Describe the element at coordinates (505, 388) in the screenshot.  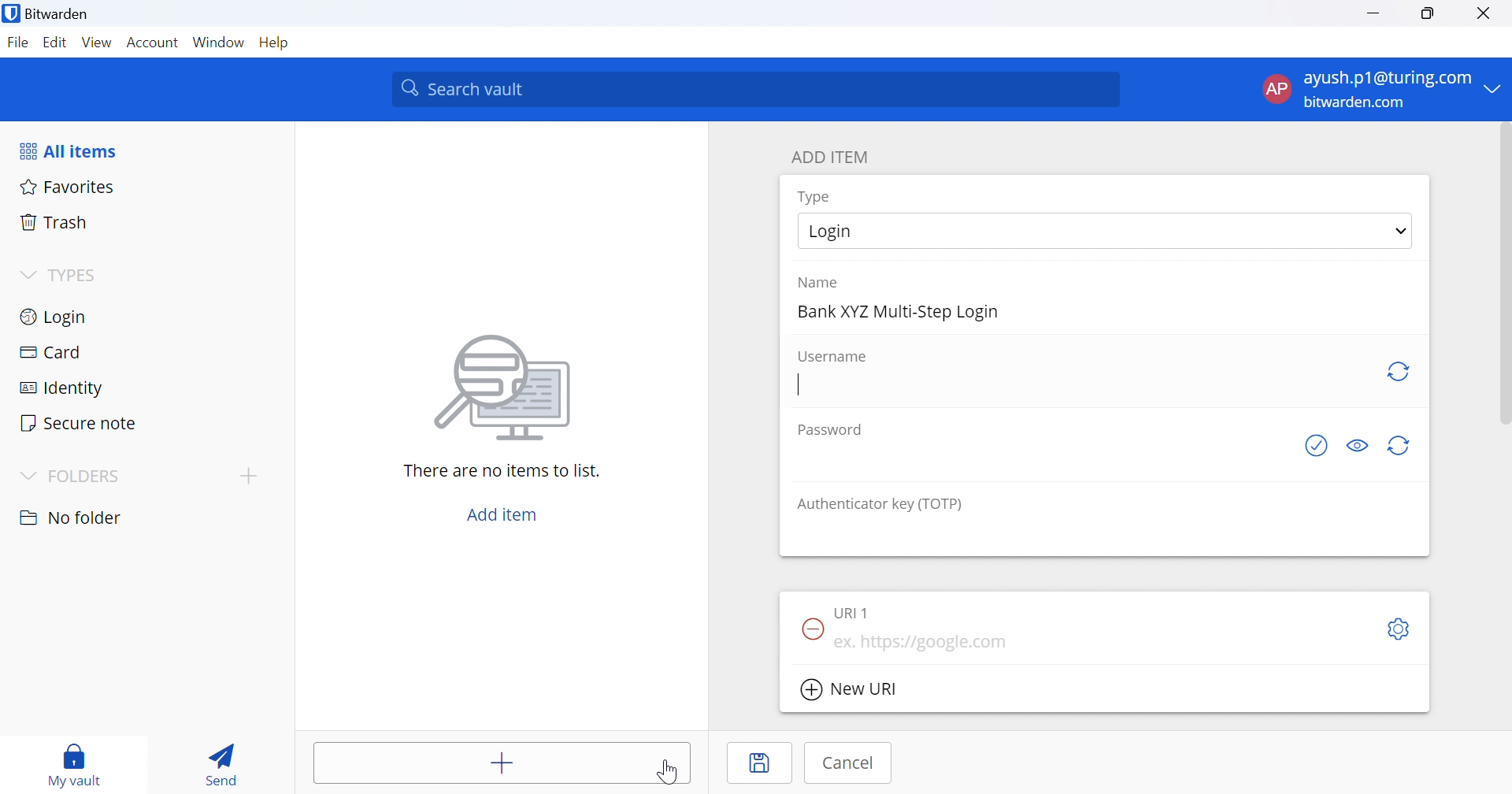
I see `Image` at that location.